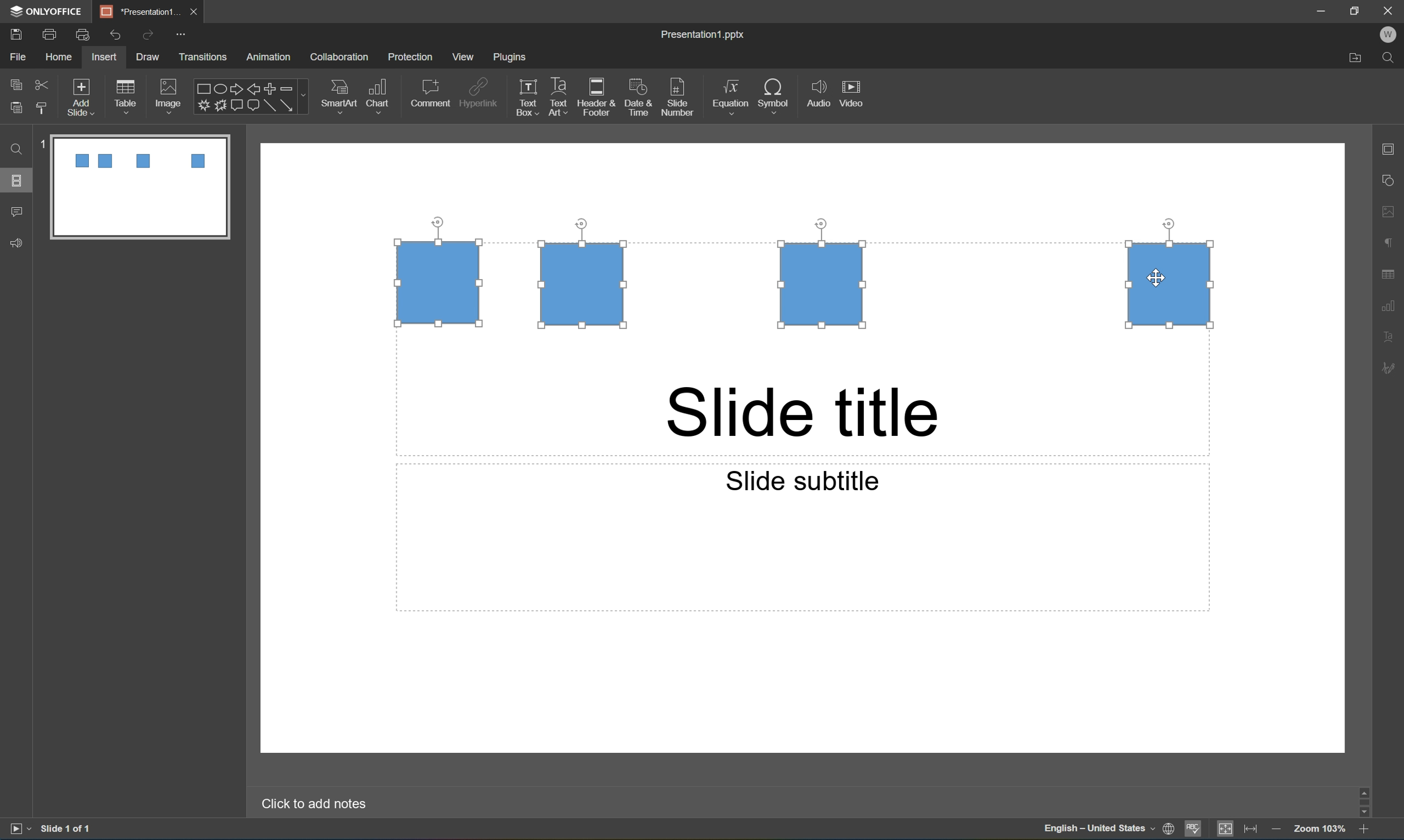 This screenshot has width=1404, height=840. Describe the element at coordinates (381, 93) in the screenshot. I see `chart` at that location.